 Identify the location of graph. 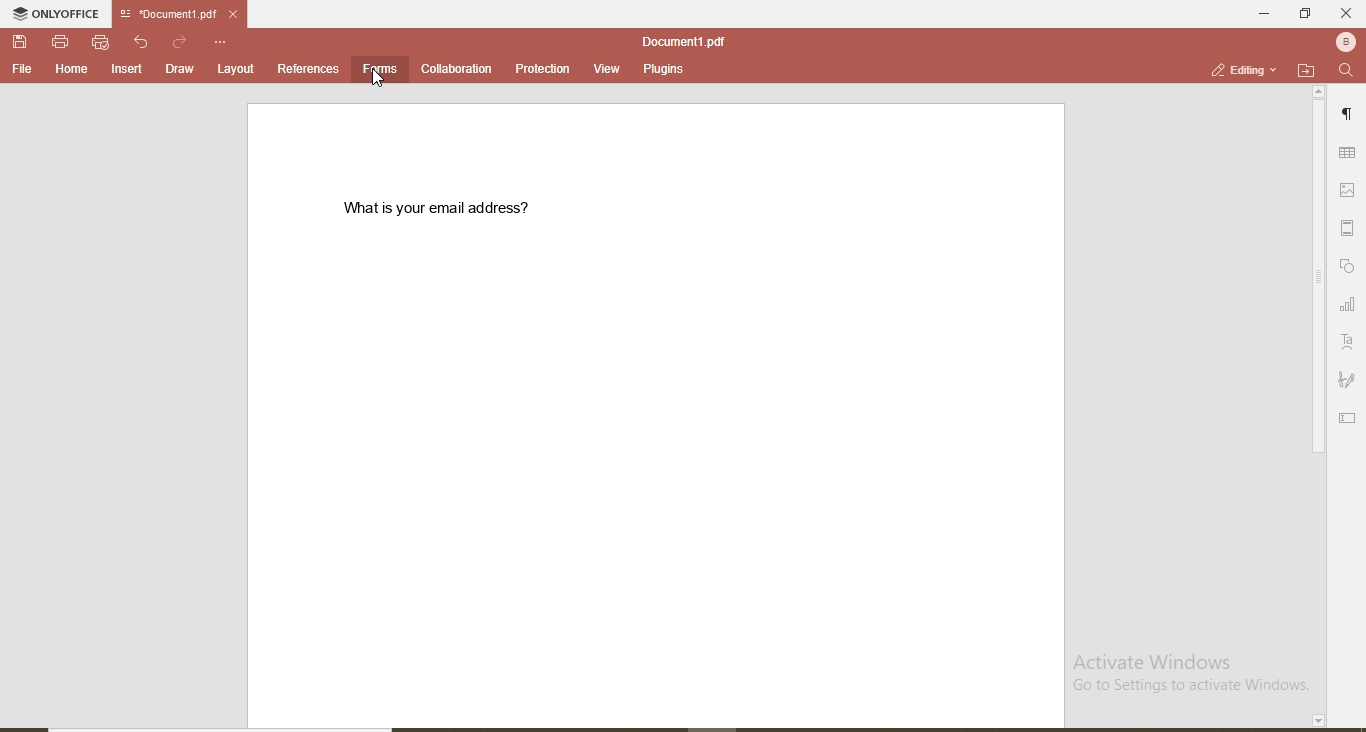
(1347, 306).